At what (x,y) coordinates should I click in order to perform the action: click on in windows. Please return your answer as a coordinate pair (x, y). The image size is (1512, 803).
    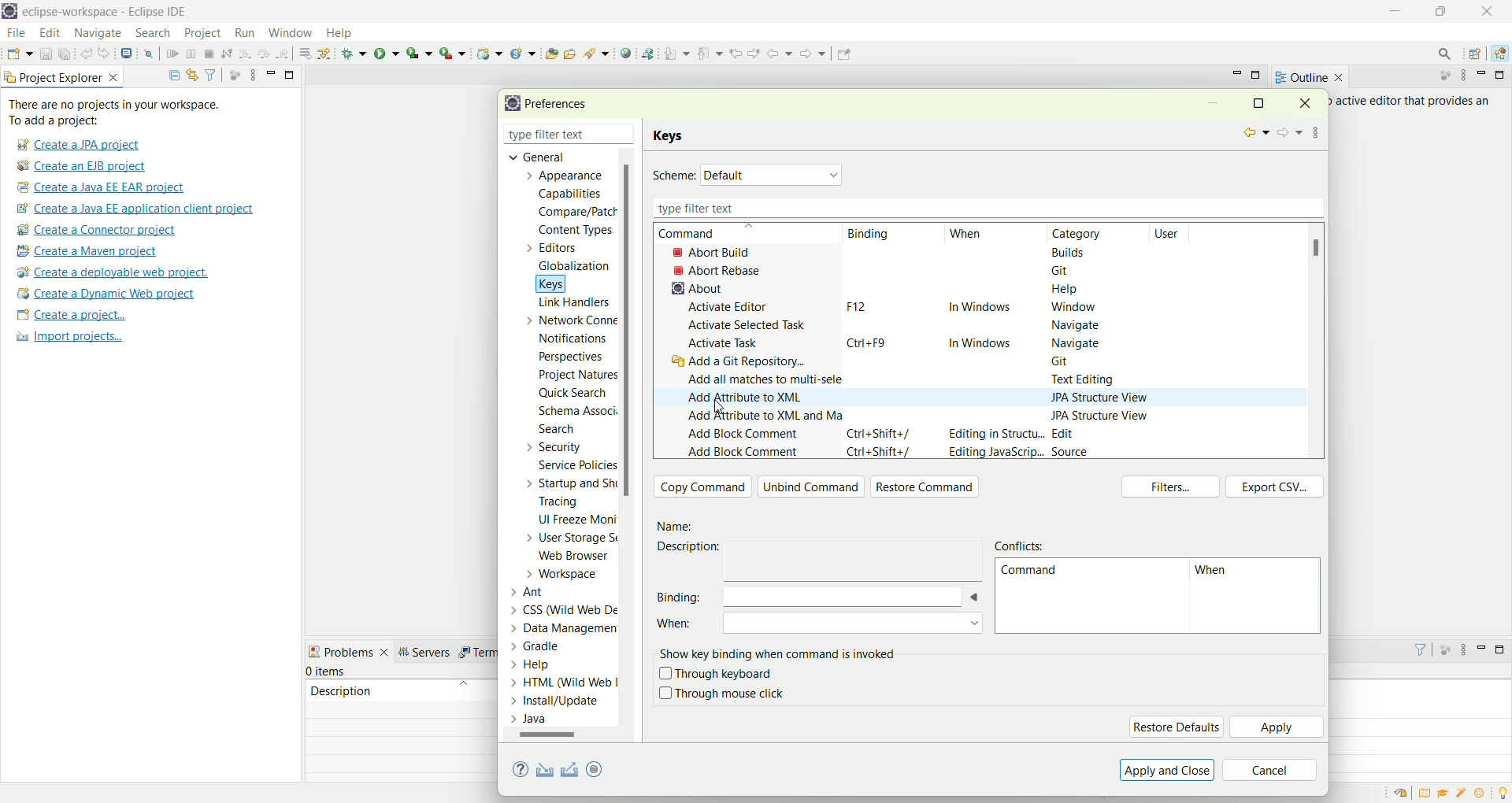
    Looking at the image, I should click on (982, 340).